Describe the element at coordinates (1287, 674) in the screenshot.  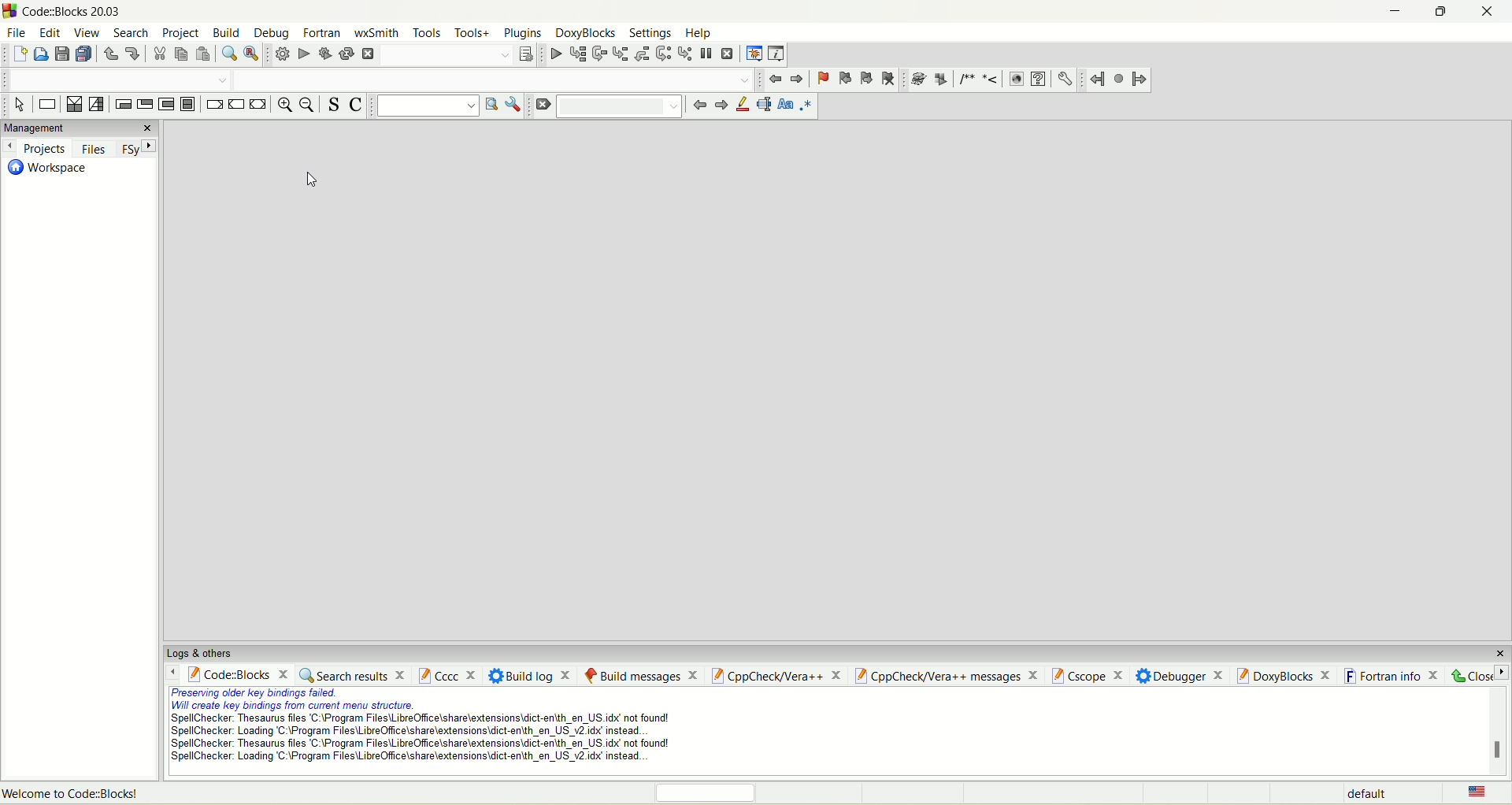
I see `boxyblocks` at that location.